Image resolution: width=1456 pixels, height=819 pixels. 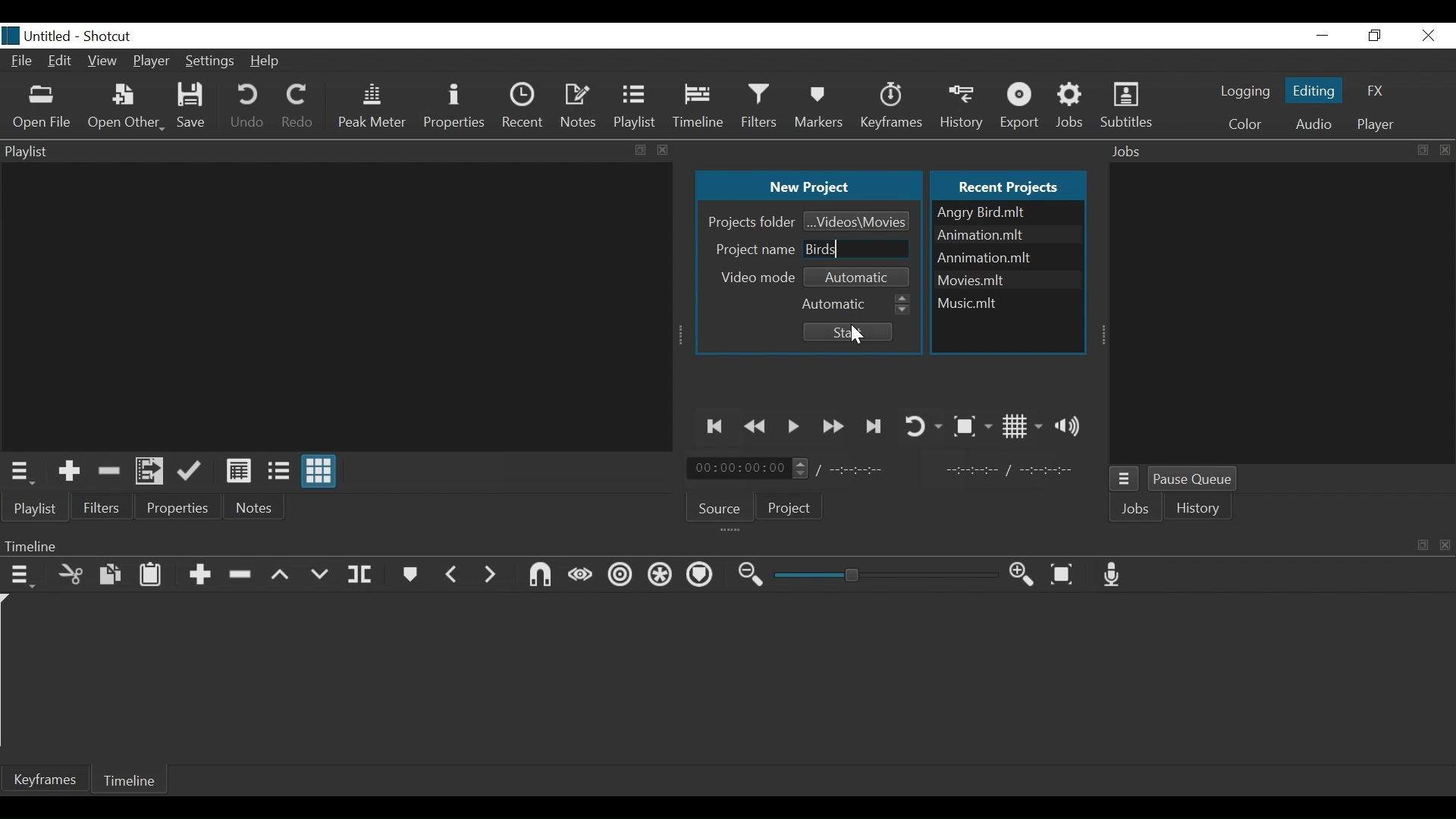 I want to click on Player, so click(x=152, y=61).